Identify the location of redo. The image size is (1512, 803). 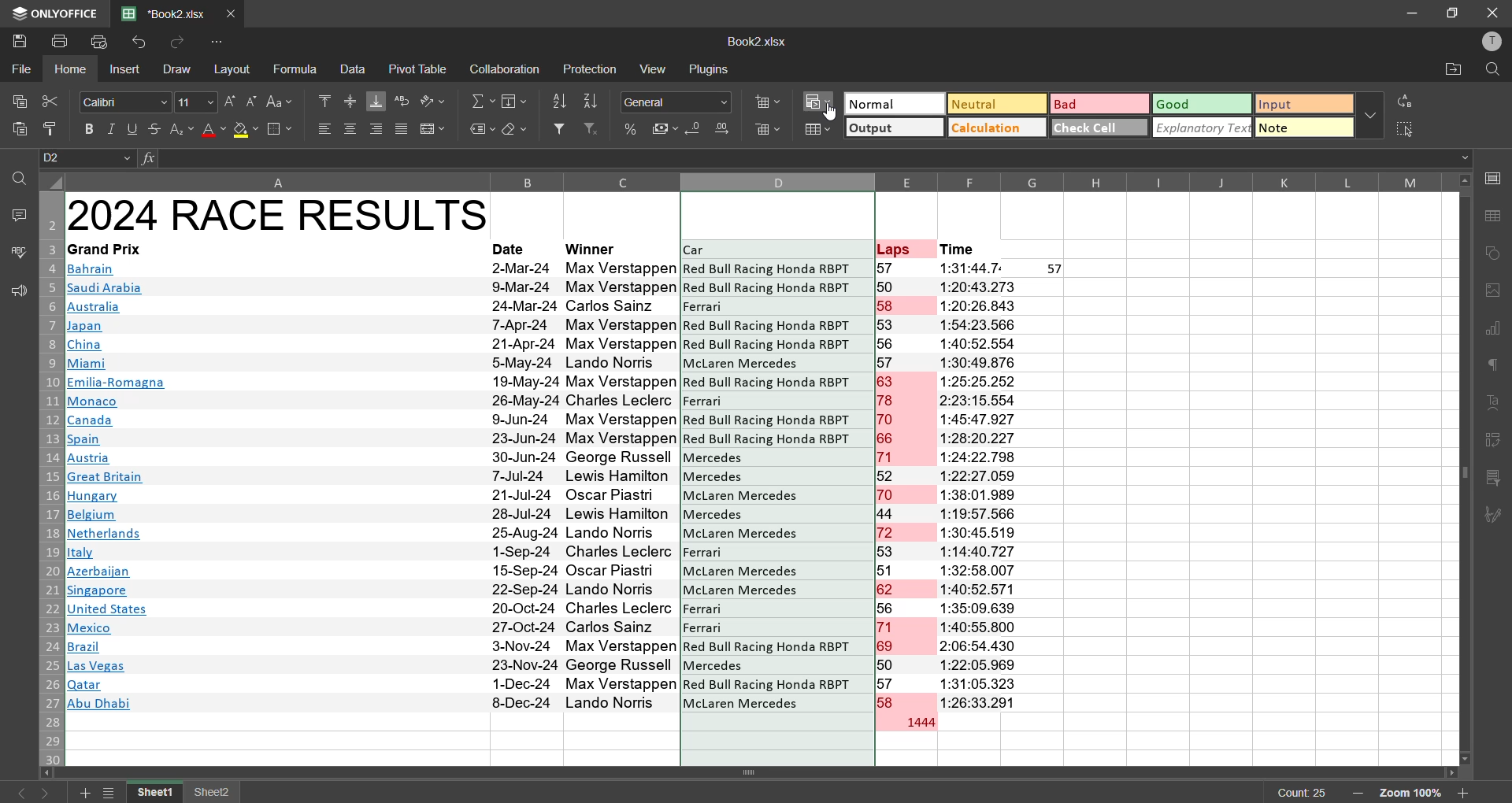
(174, 43).